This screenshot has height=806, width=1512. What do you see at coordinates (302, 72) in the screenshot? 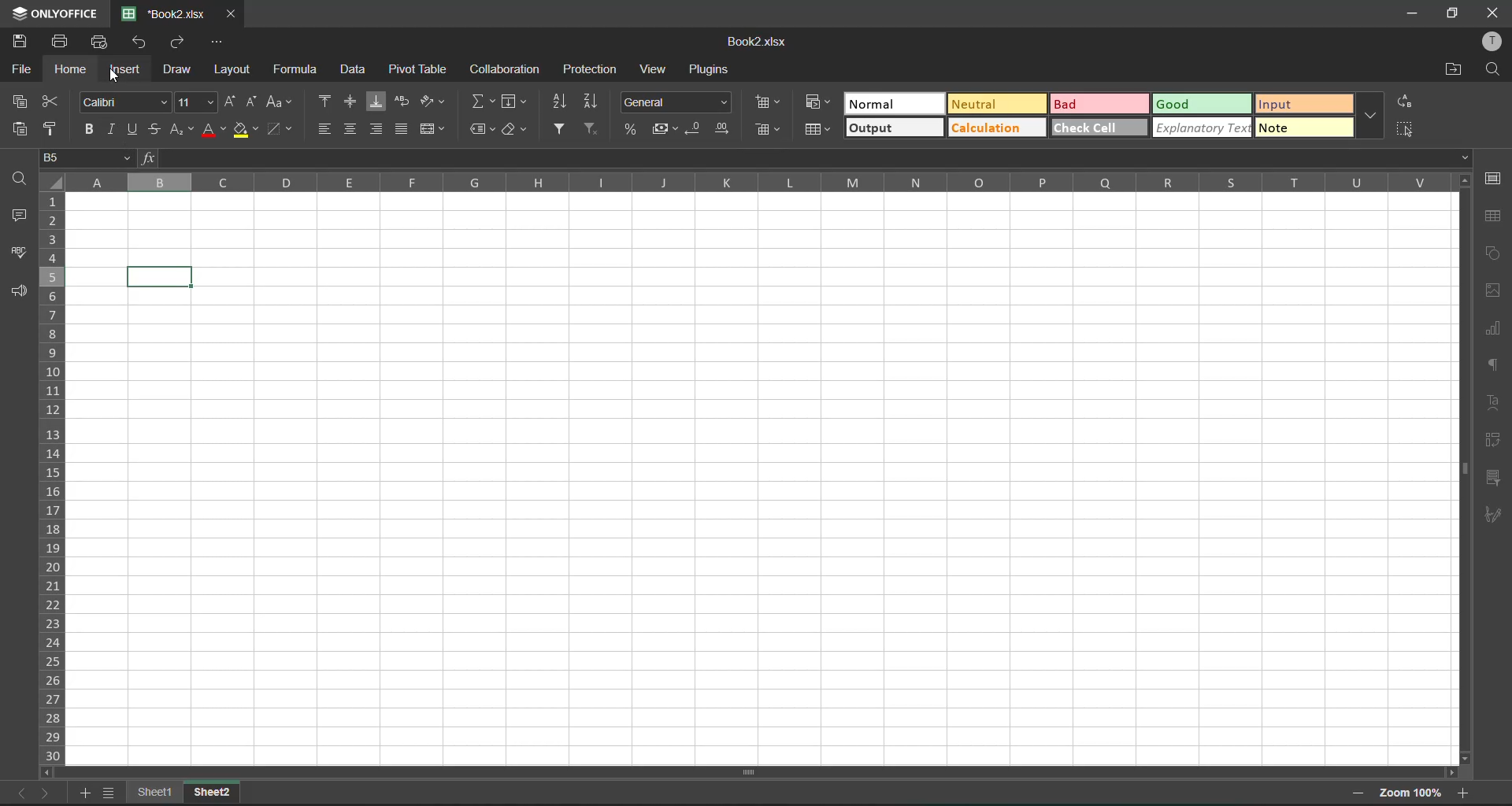
I see `formula` at bounding box center [302, 72].